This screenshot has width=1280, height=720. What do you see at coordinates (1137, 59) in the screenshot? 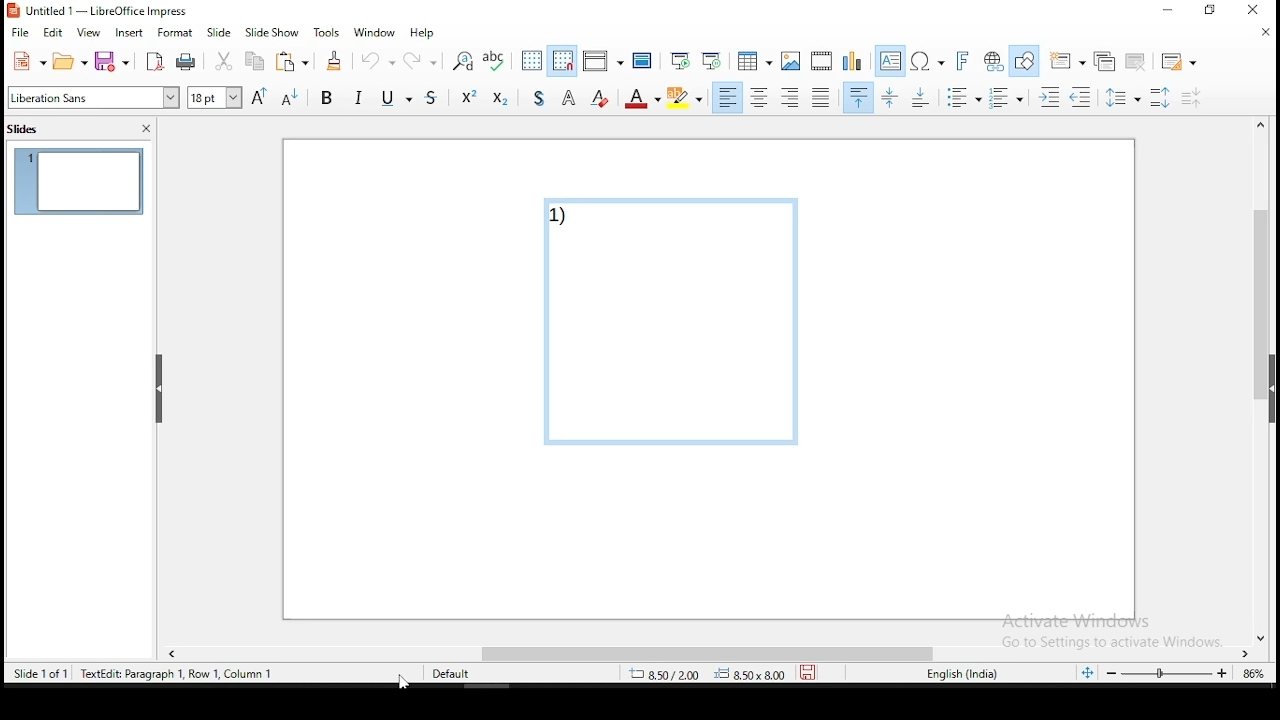
I see `delete slide` at bounding box center [1137, 59].